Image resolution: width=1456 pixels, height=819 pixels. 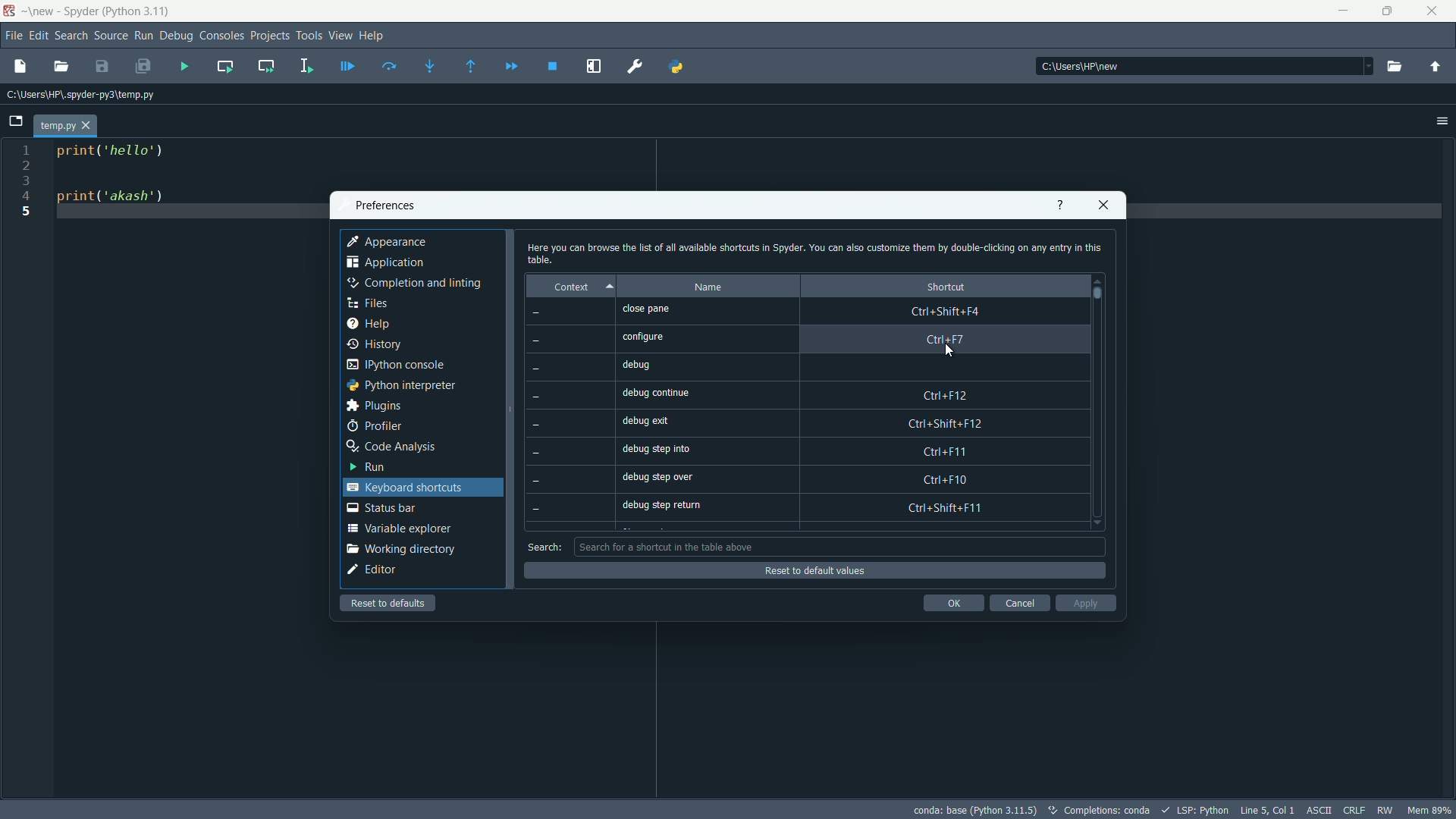 What do you see at coordinates (1436, 11) in the screenshot?
I see `close app` at bounding box center [1436, 11].